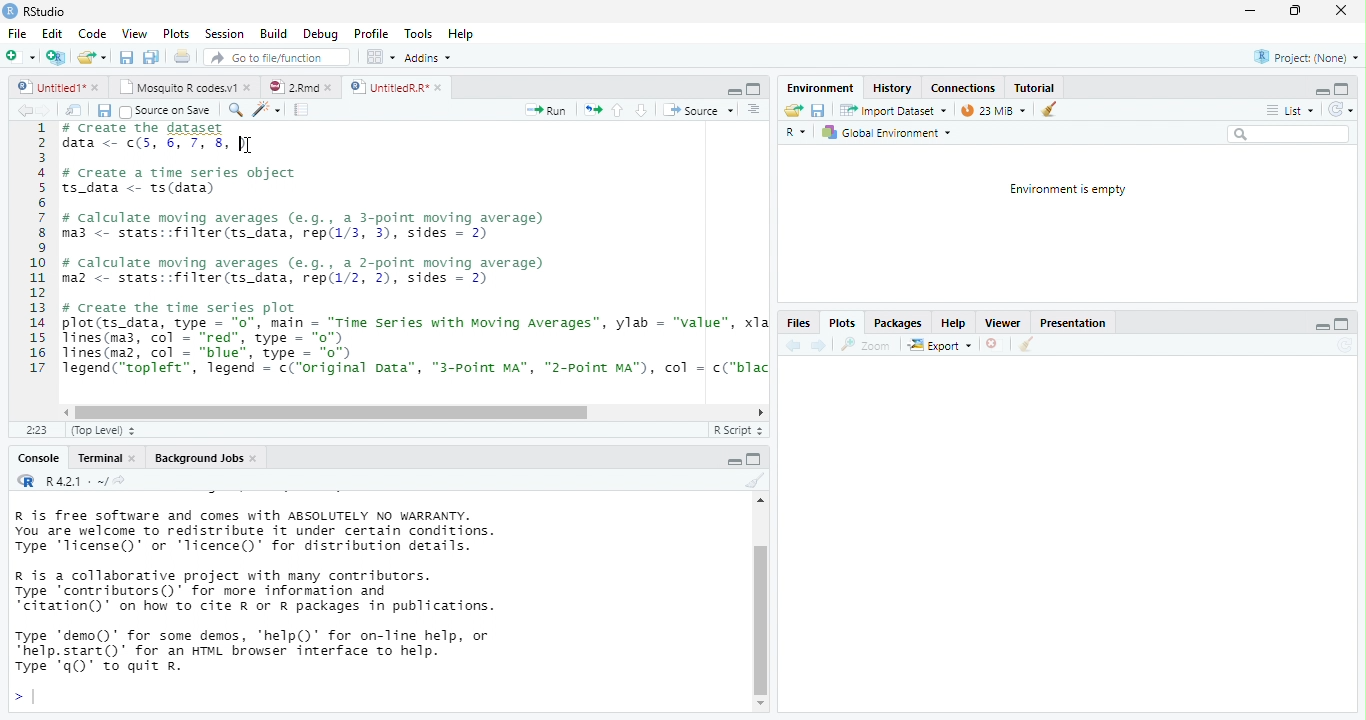 The width and height of the screenshot is (1366, 720). I want to click on minimize, so click(734, 92).